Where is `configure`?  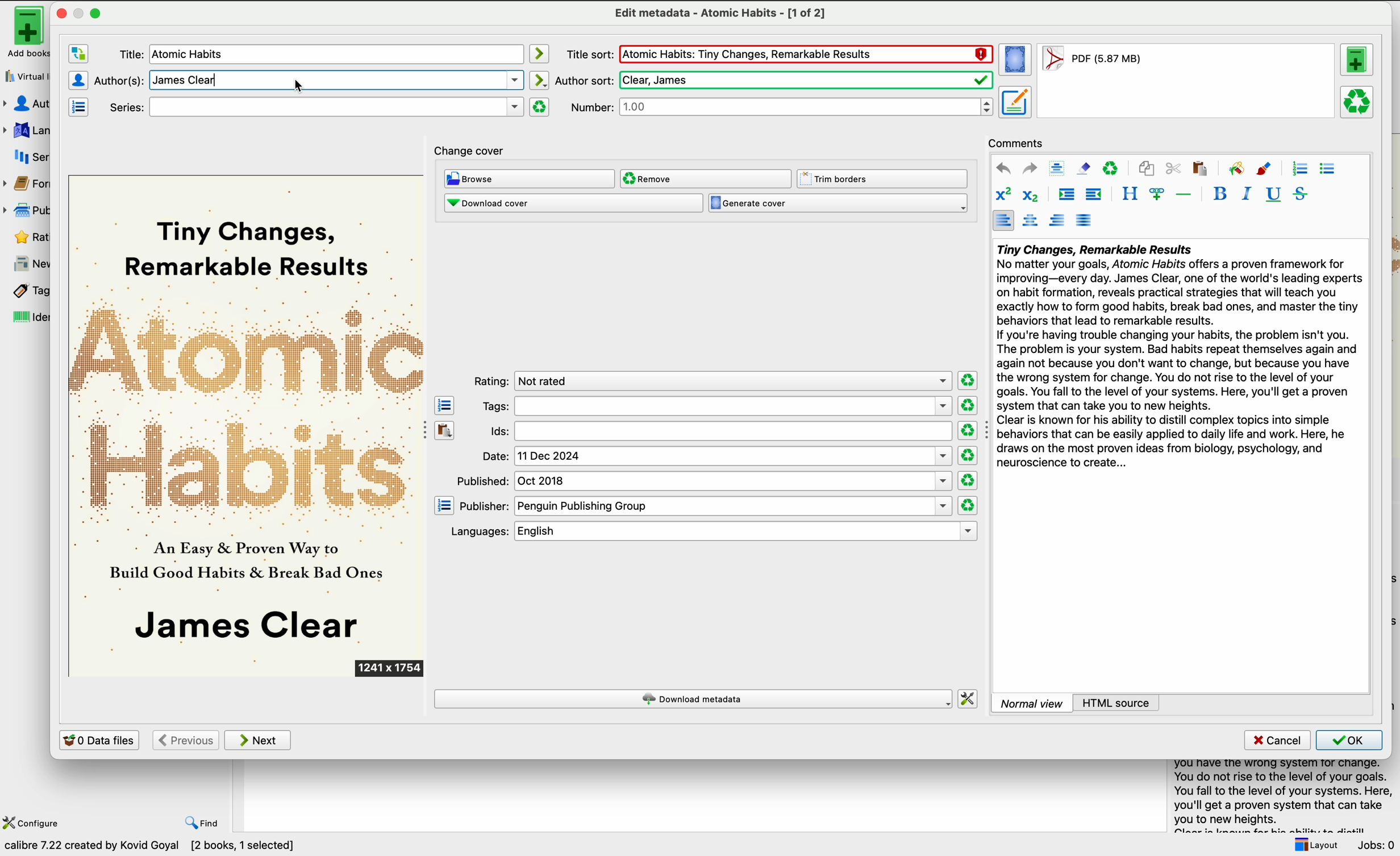 configure is located at coordinates (34, 822).